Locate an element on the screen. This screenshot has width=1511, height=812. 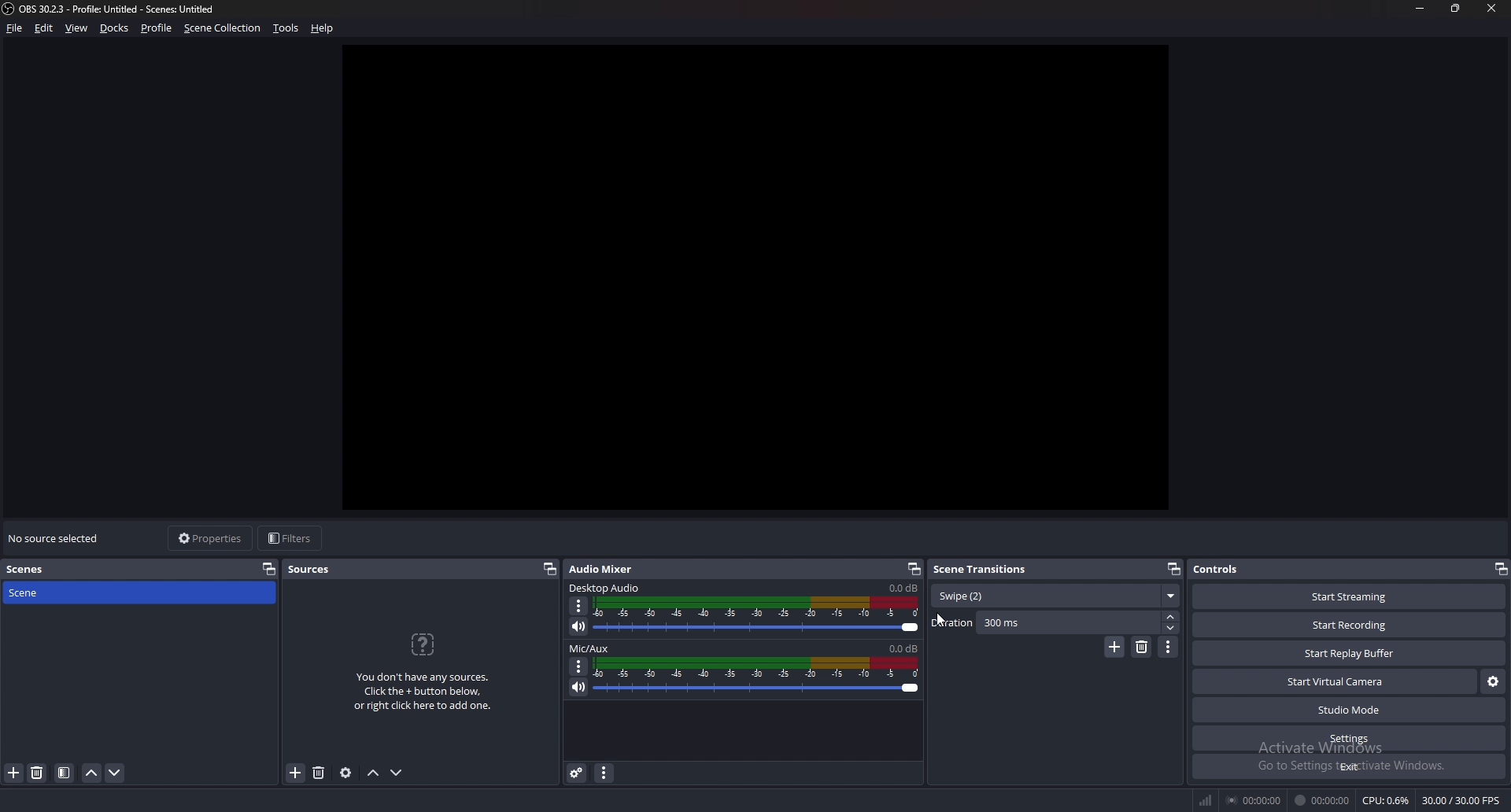
remove source is located at coordinates (319, 773).